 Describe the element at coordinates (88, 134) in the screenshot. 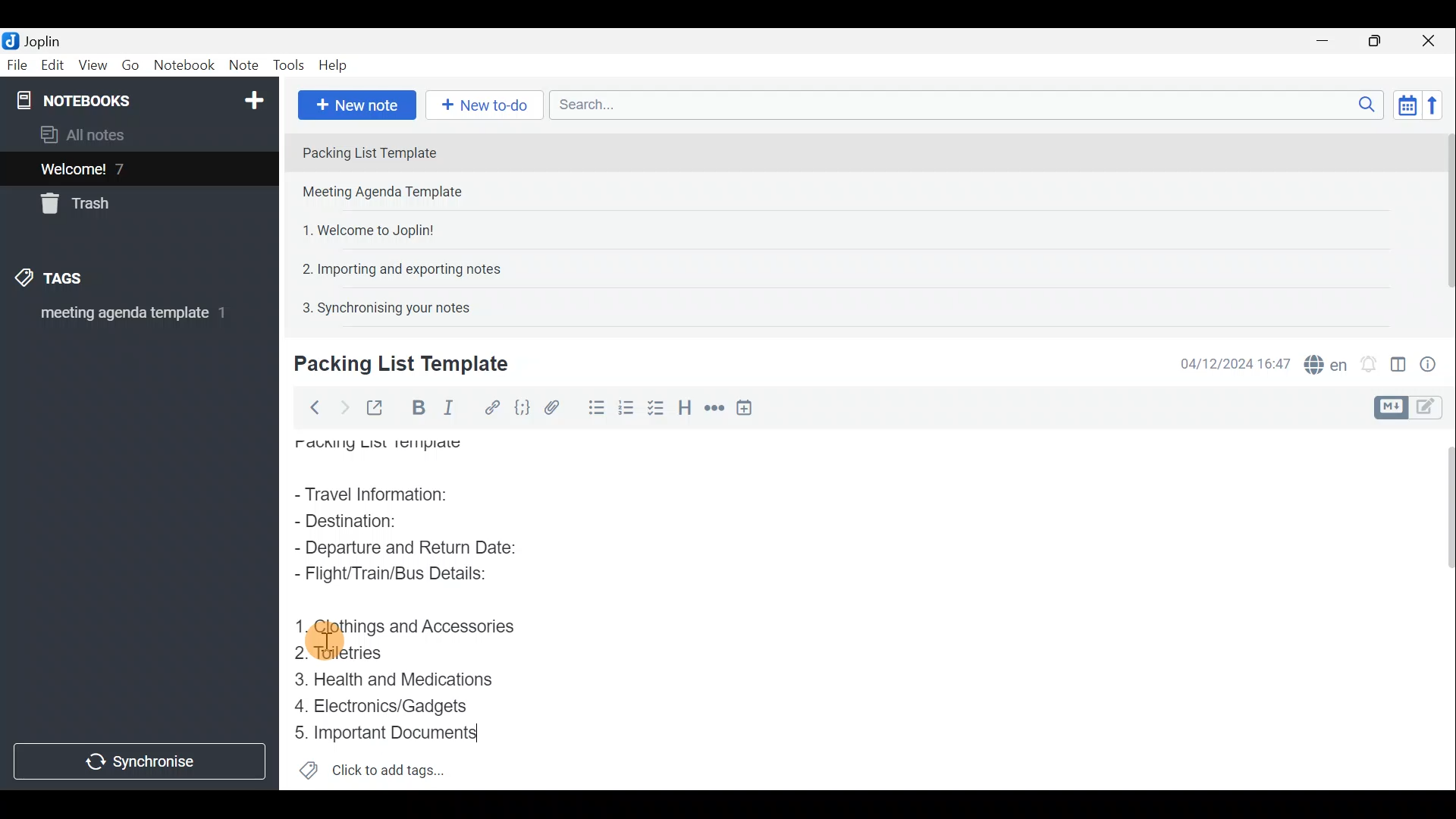

I see `All notes` at that location.